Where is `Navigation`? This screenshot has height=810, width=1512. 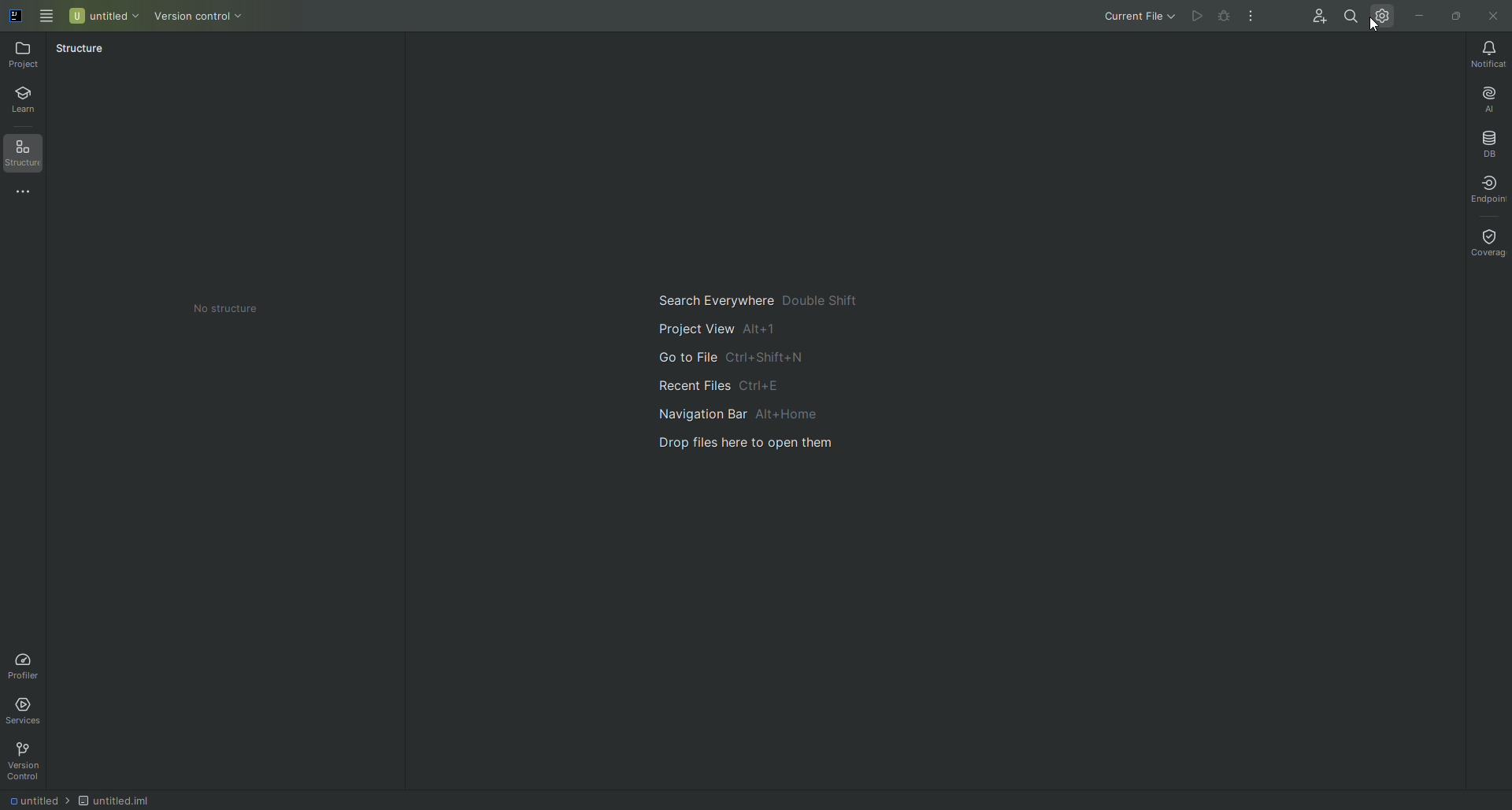 Navigation is located at coordinates (760, 418).